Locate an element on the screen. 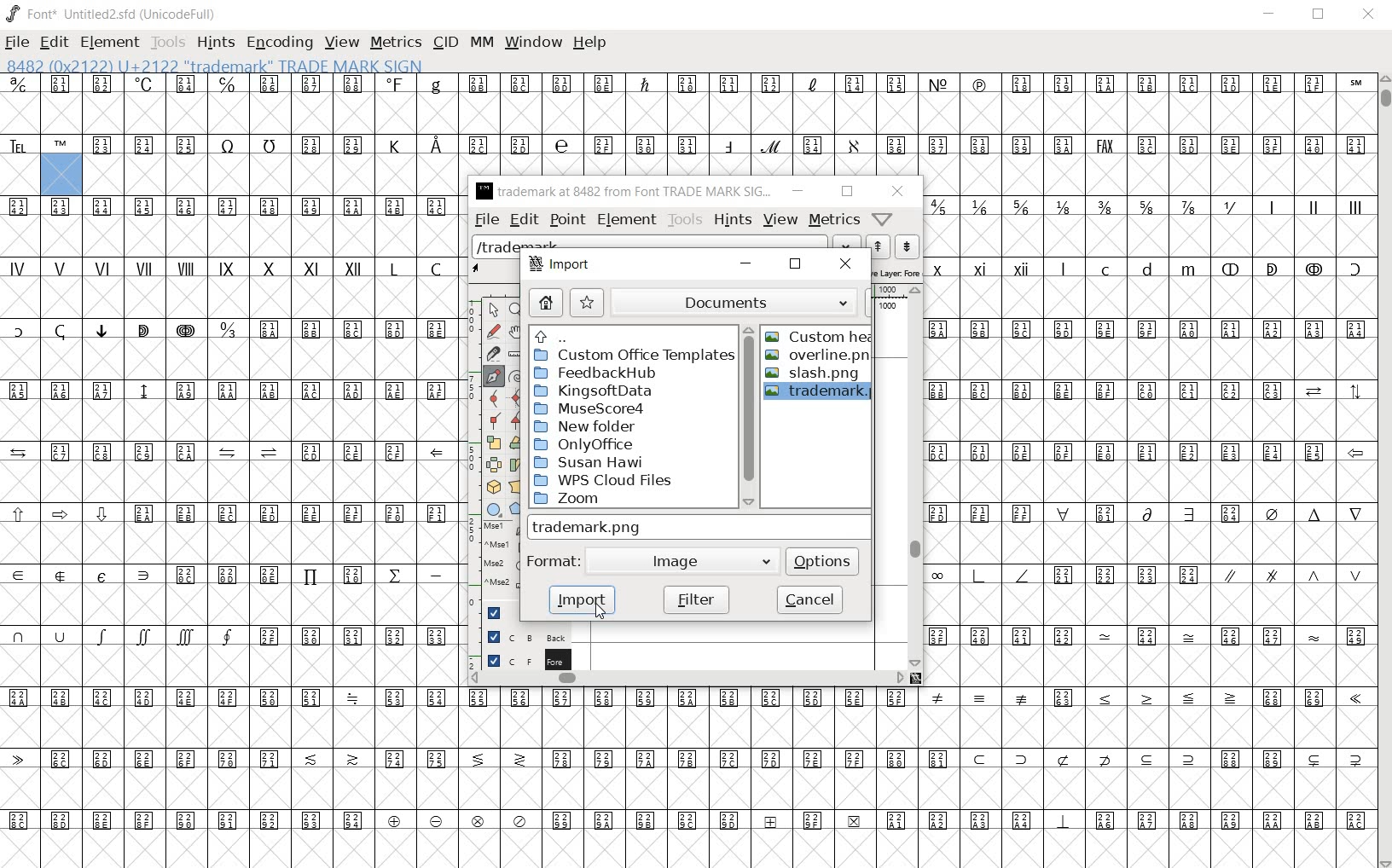  rotate the selection in 3D and project back to plane is located at coordinates (493, 488).